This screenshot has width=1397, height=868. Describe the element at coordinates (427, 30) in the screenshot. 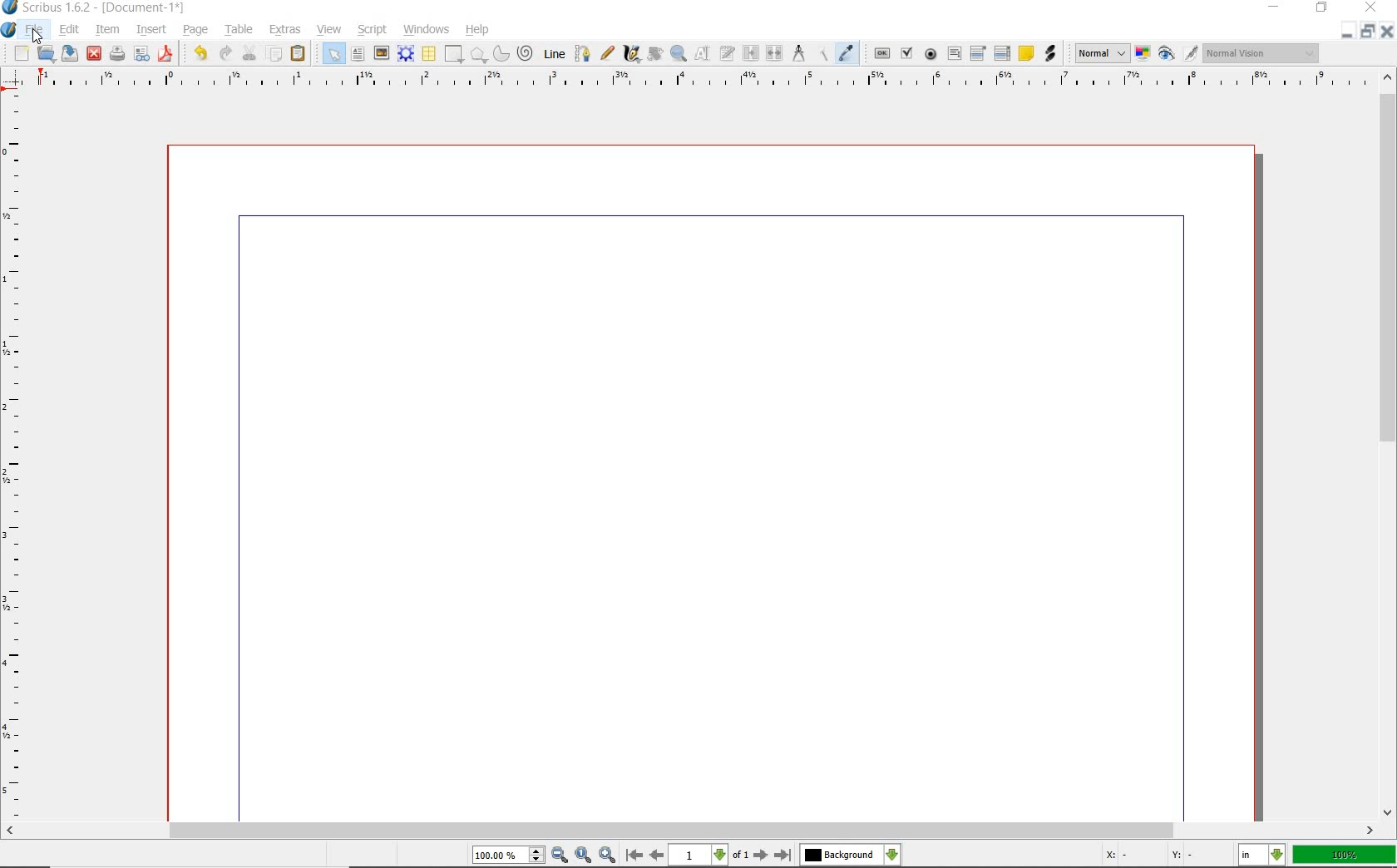

I see `windows` at that location.